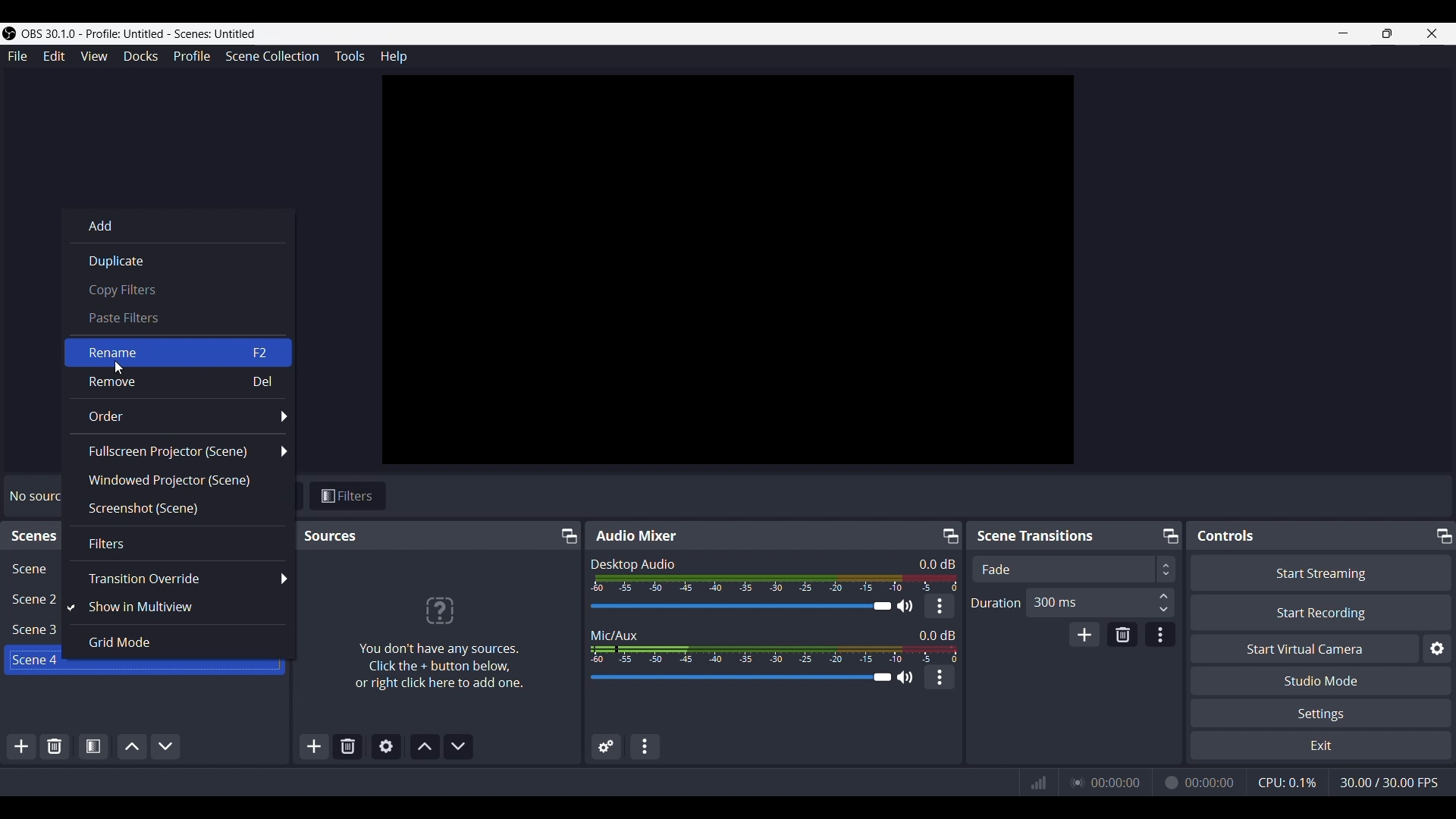 The image size is (1456, 819). Describe the element at coordinates (1324, 714) in the screenshot. I see `Settings` at that location.